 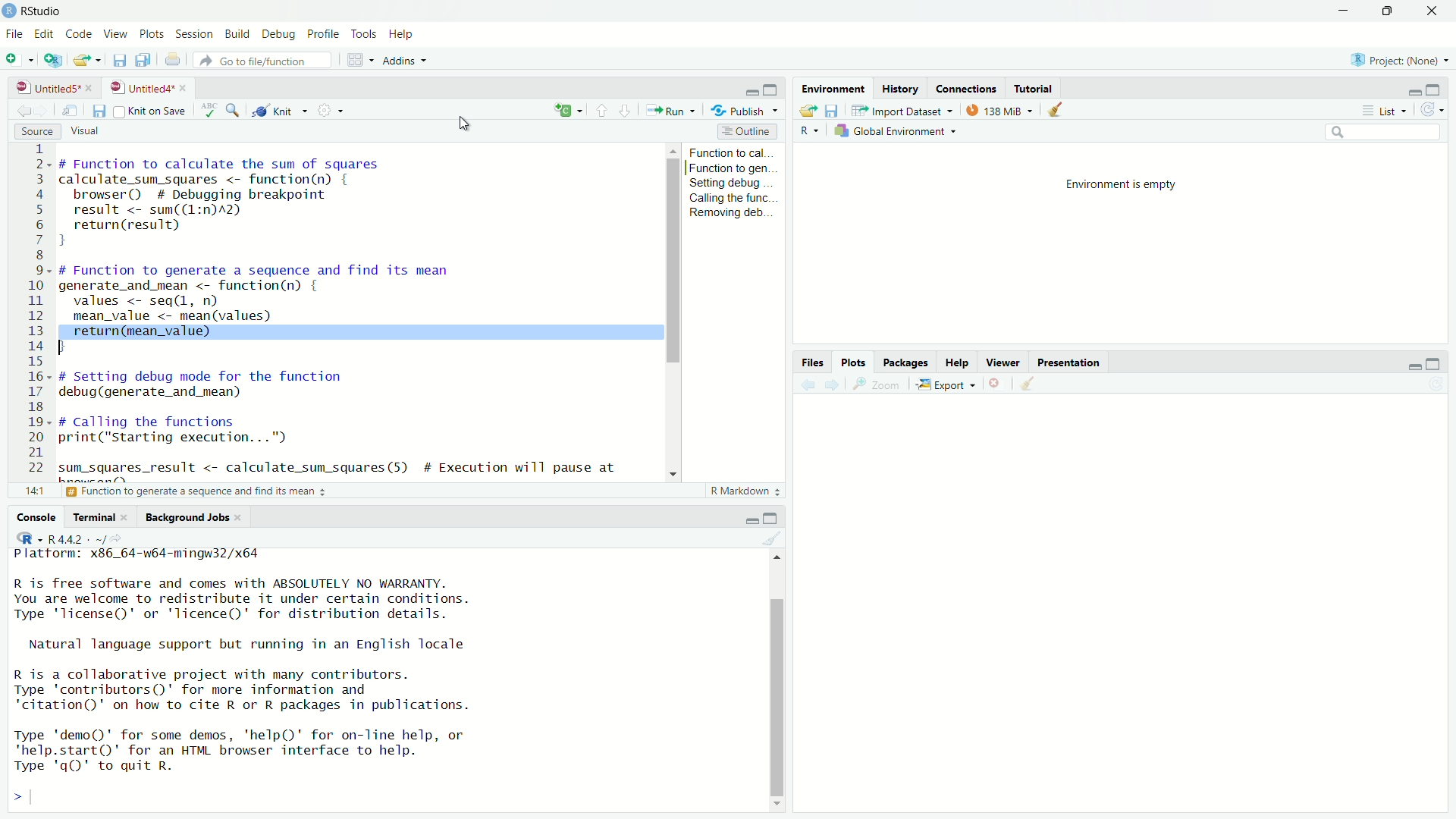 What do you see at coordinates (1030, 384) in the screenshot?
I see `clear all plots` at bounding box center [1030, 384].